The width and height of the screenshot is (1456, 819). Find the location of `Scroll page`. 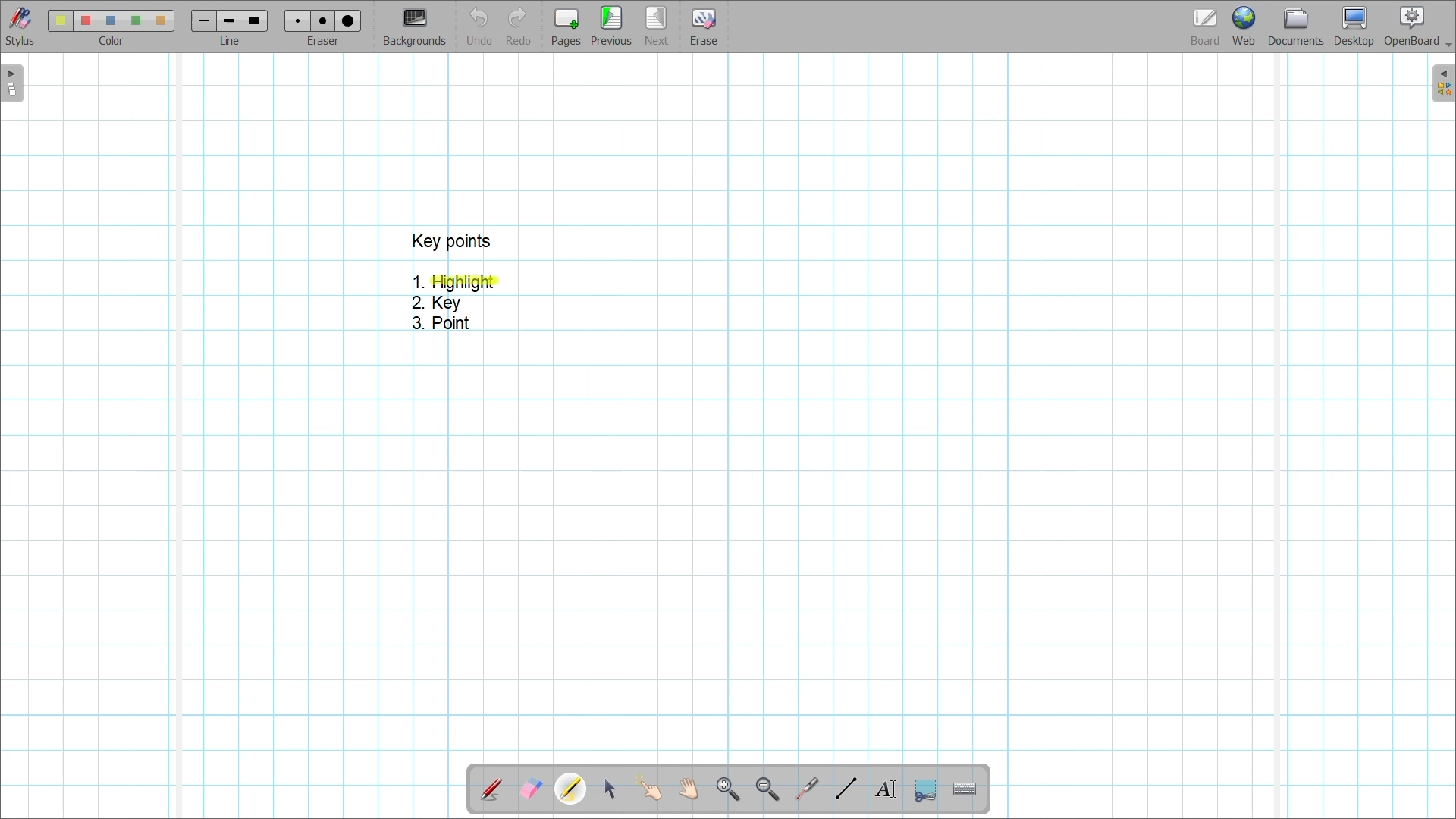

Scroll page is located at coordinates (688, 789).